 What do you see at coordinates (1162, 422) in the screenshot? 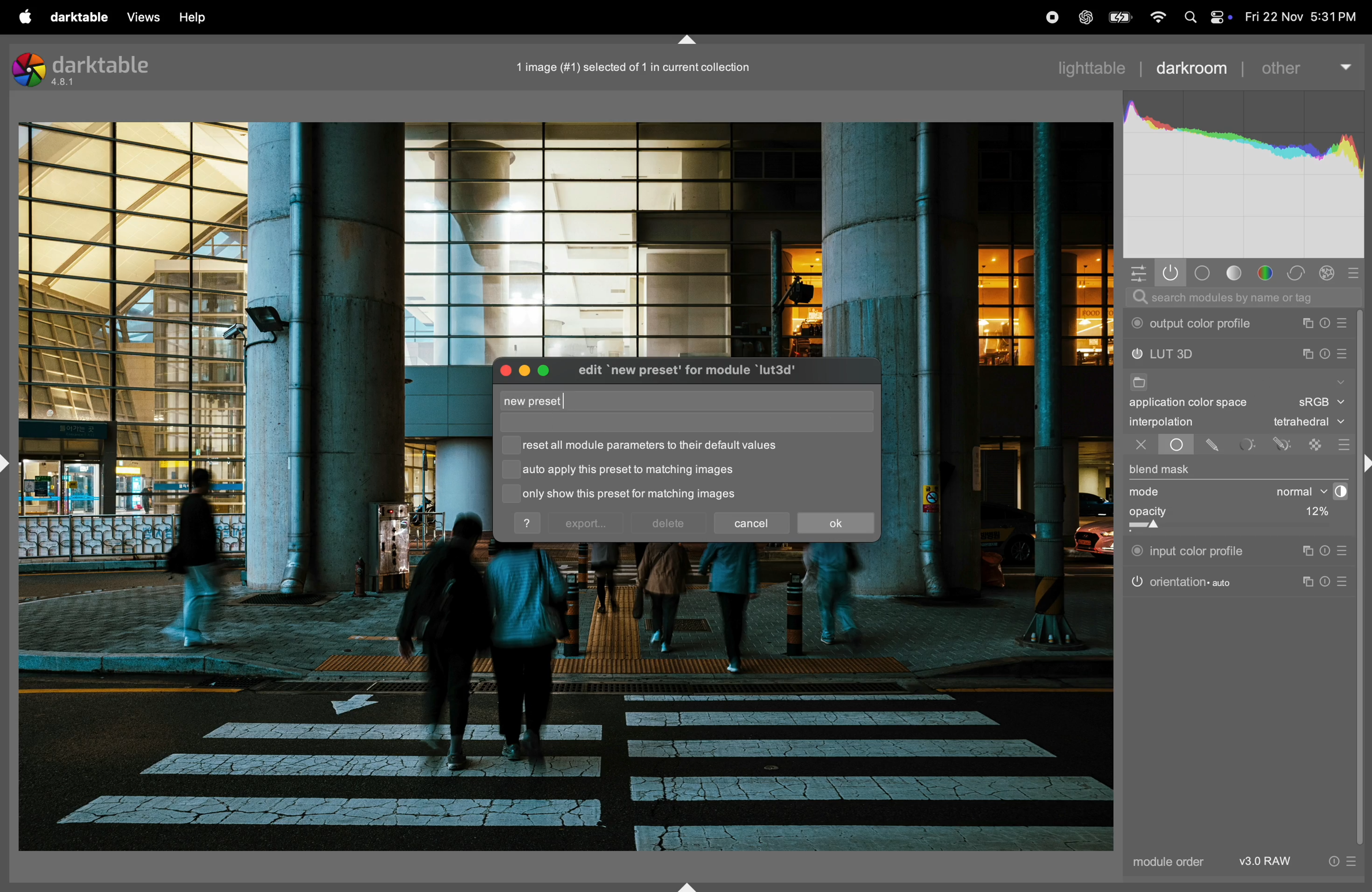
I see `interpolation` at bounding box center [1162, 422].